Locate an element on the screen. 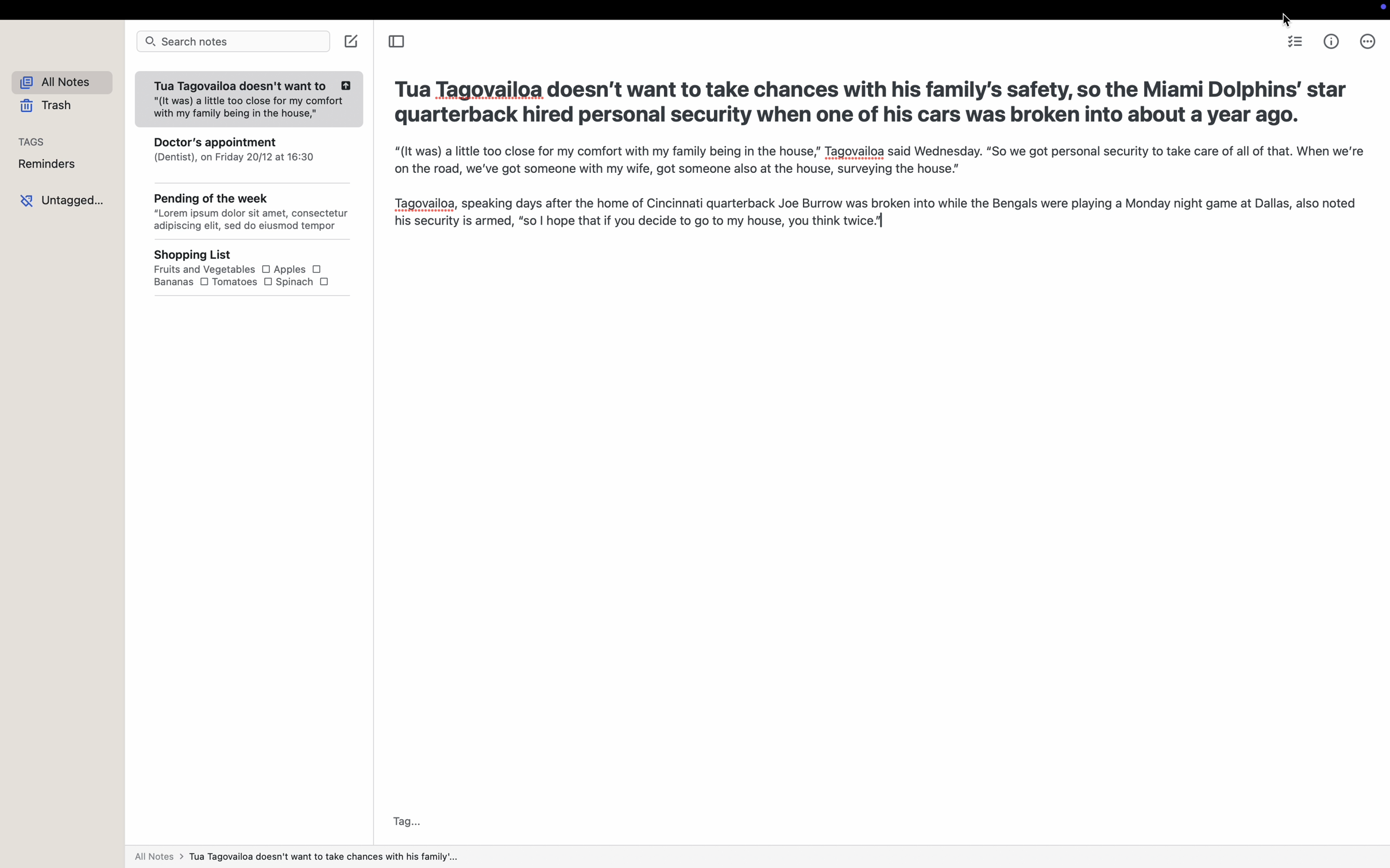 This screenshot has width=1390, height=868. create note is located at coordinates (353, 41).